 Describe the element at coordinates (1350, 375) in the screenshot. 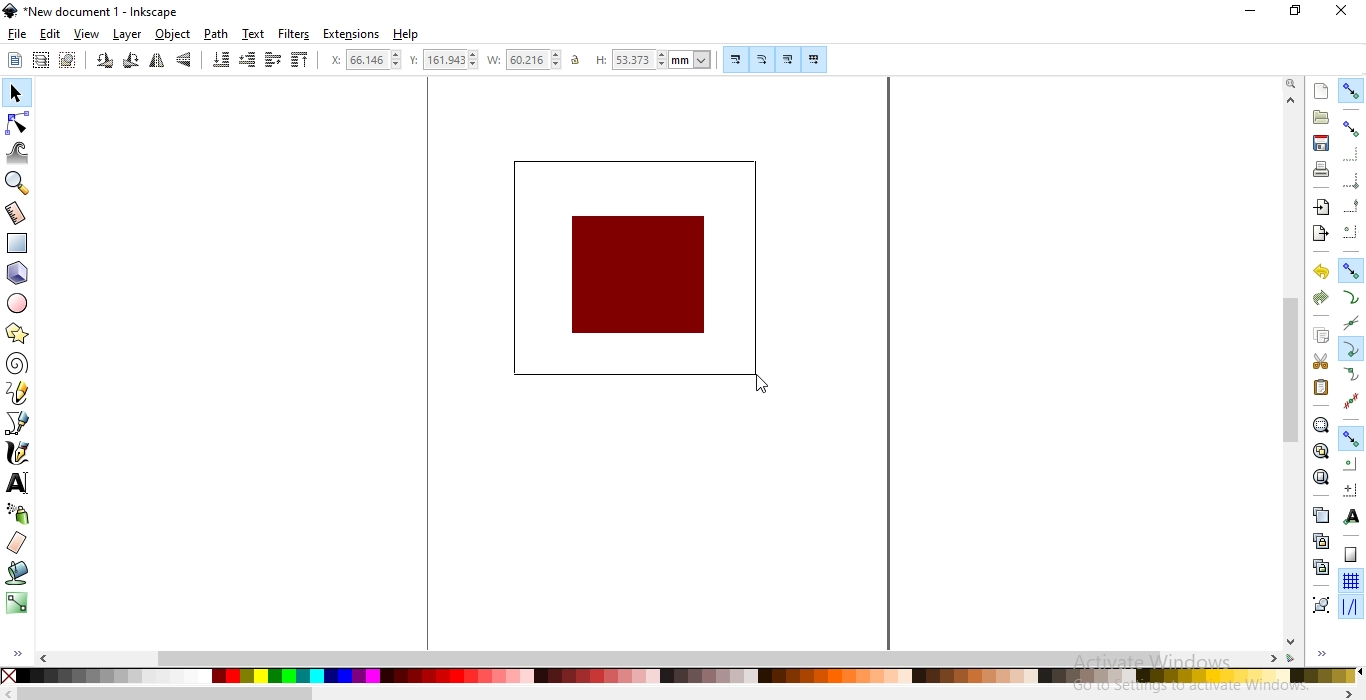

I see `snap smooth nodes` at that location.